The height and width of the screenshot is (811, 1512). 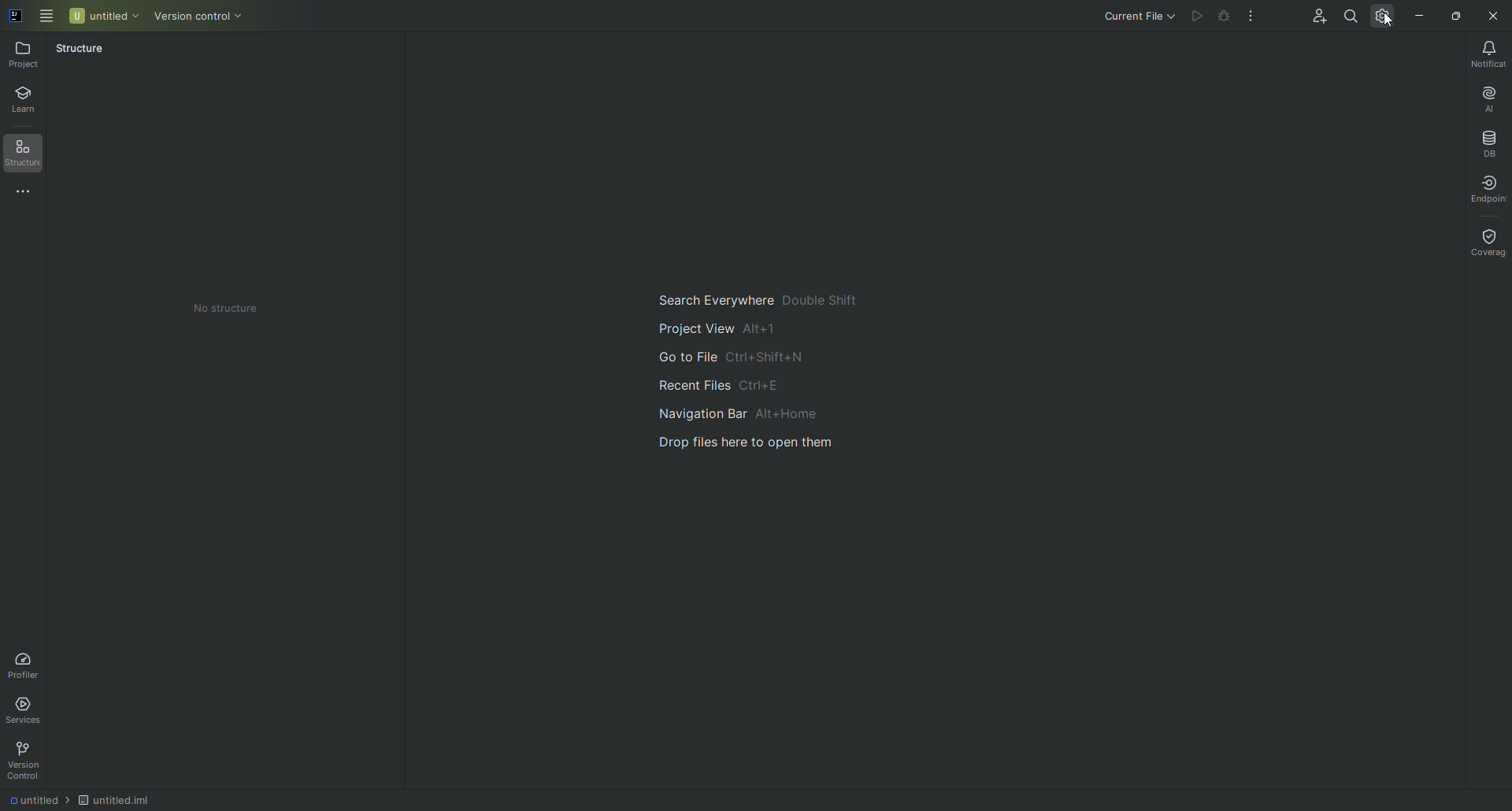 I want to click on Code With Me, so click(x=1318, y=17).